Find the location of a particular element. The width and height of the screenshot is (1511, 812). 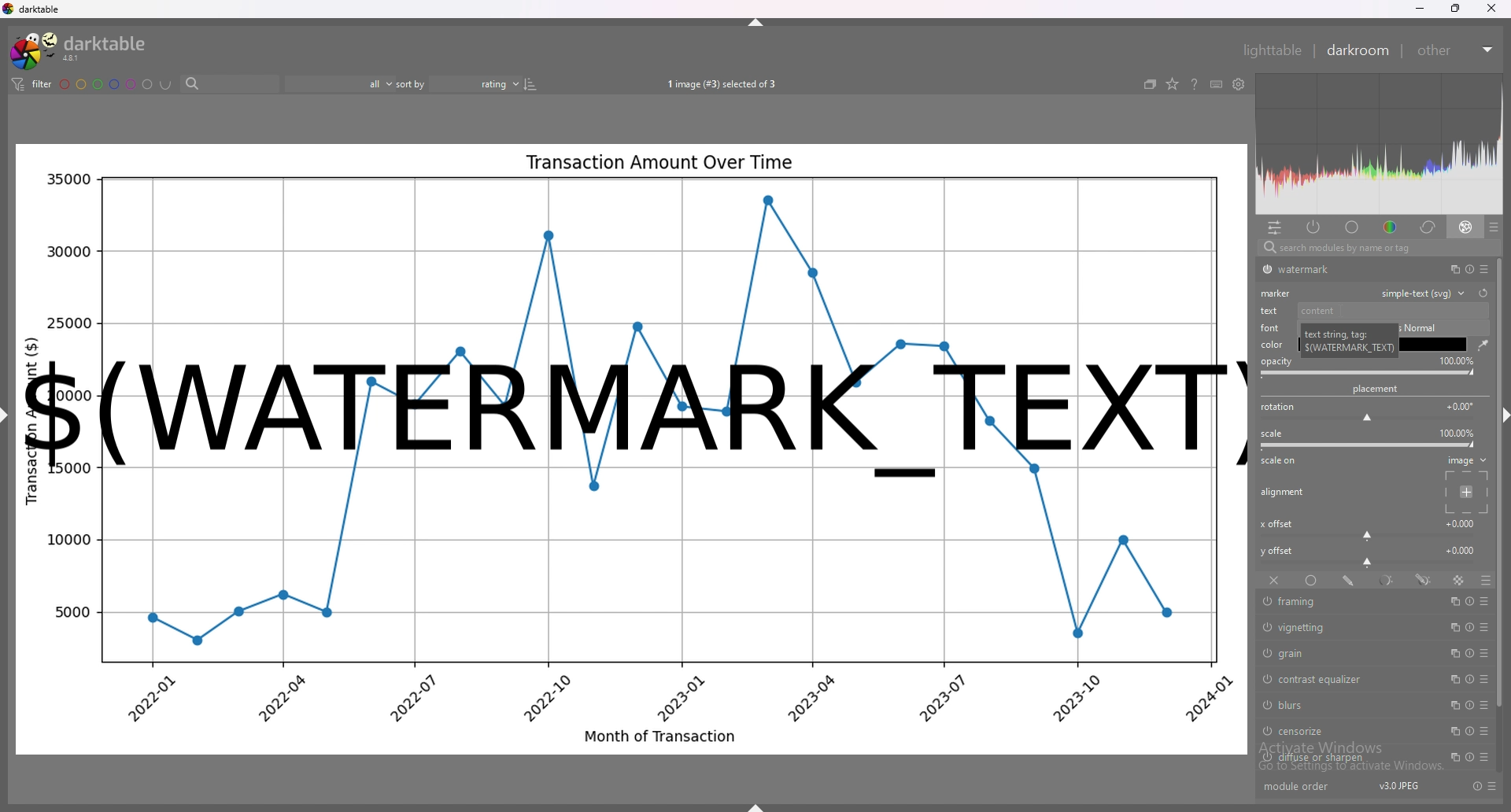

hide is located at coordinates (757, 22).